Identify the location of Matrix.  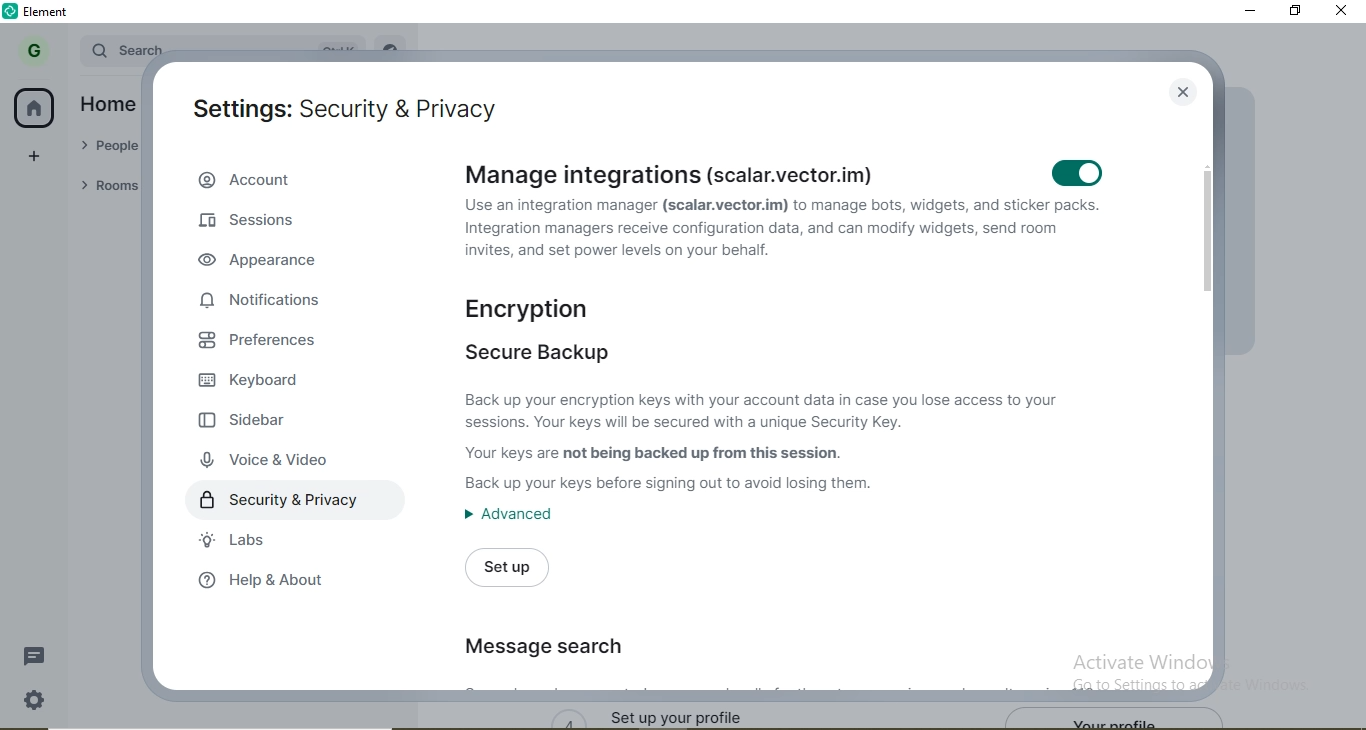
(783, 237).